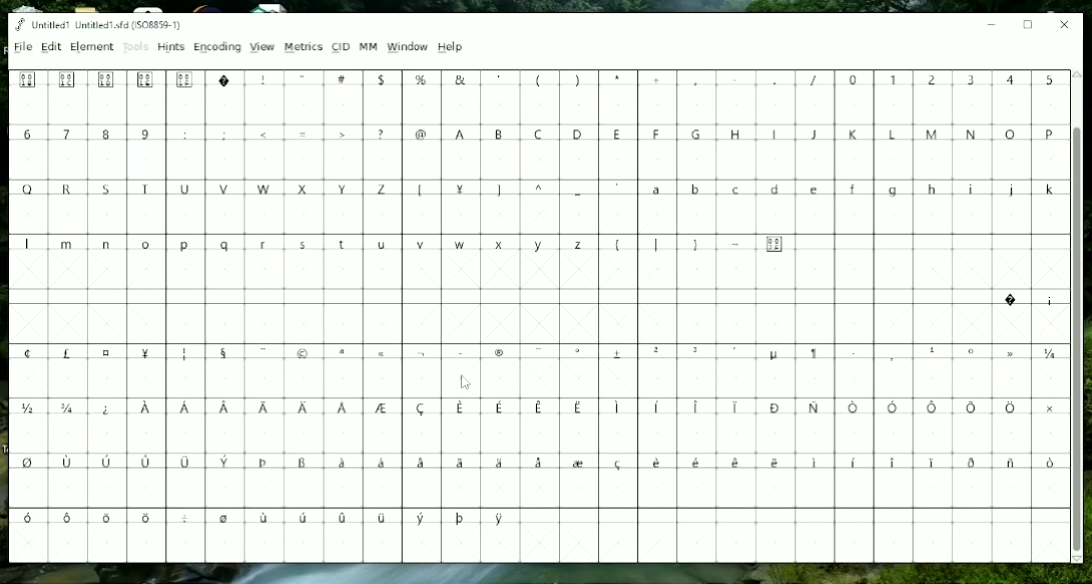 This screenshot has width=1092, height=584. Describe the element at coordinates (1027, 300) in the screenshot. I see `Symbols` at that location.